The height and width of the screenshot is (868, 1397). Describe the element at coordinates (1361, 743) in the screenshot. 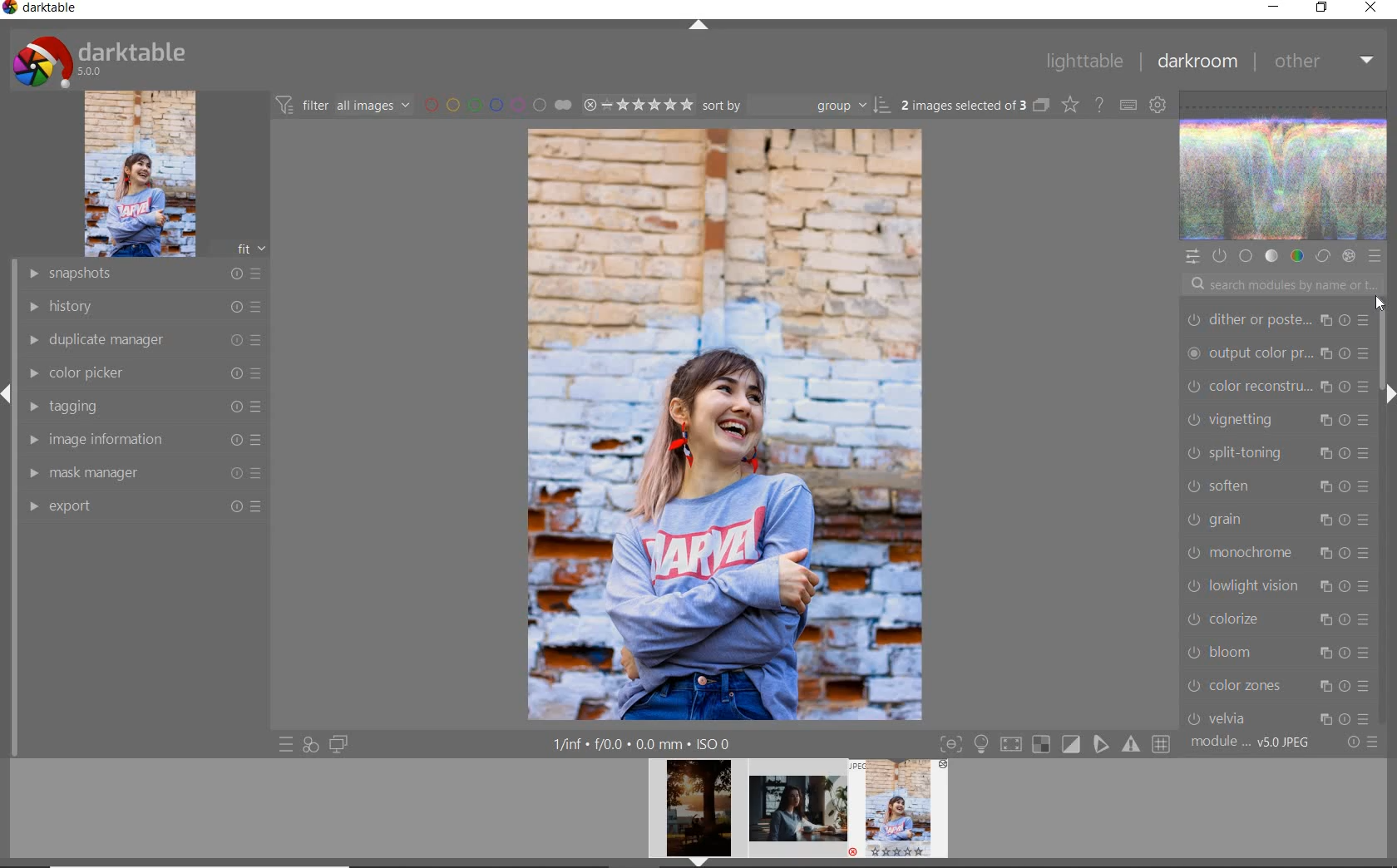

I see `reset or preset preference` at that location.